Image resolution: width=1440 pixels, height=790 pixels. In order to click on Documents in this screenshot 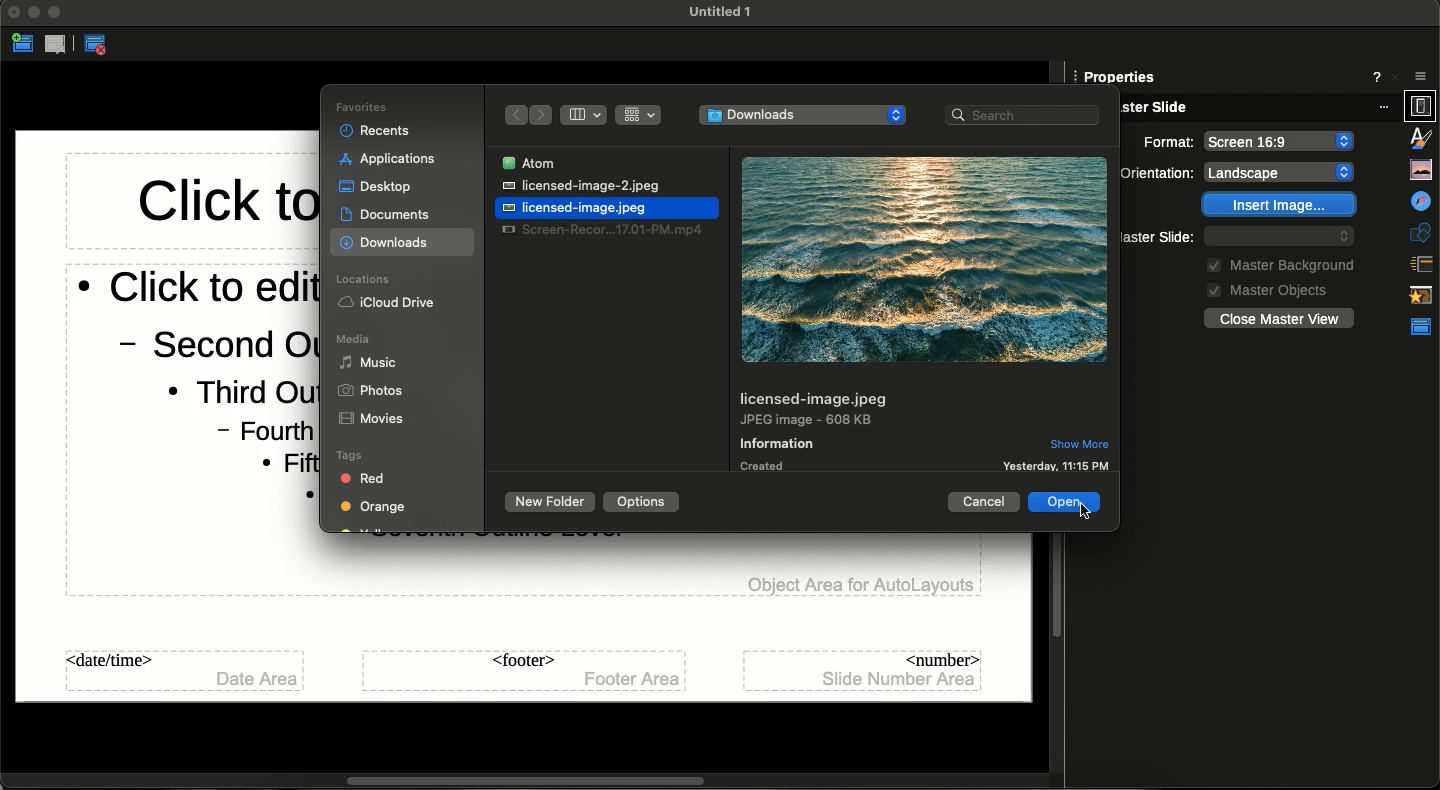, I will do `click(391, 214)`.